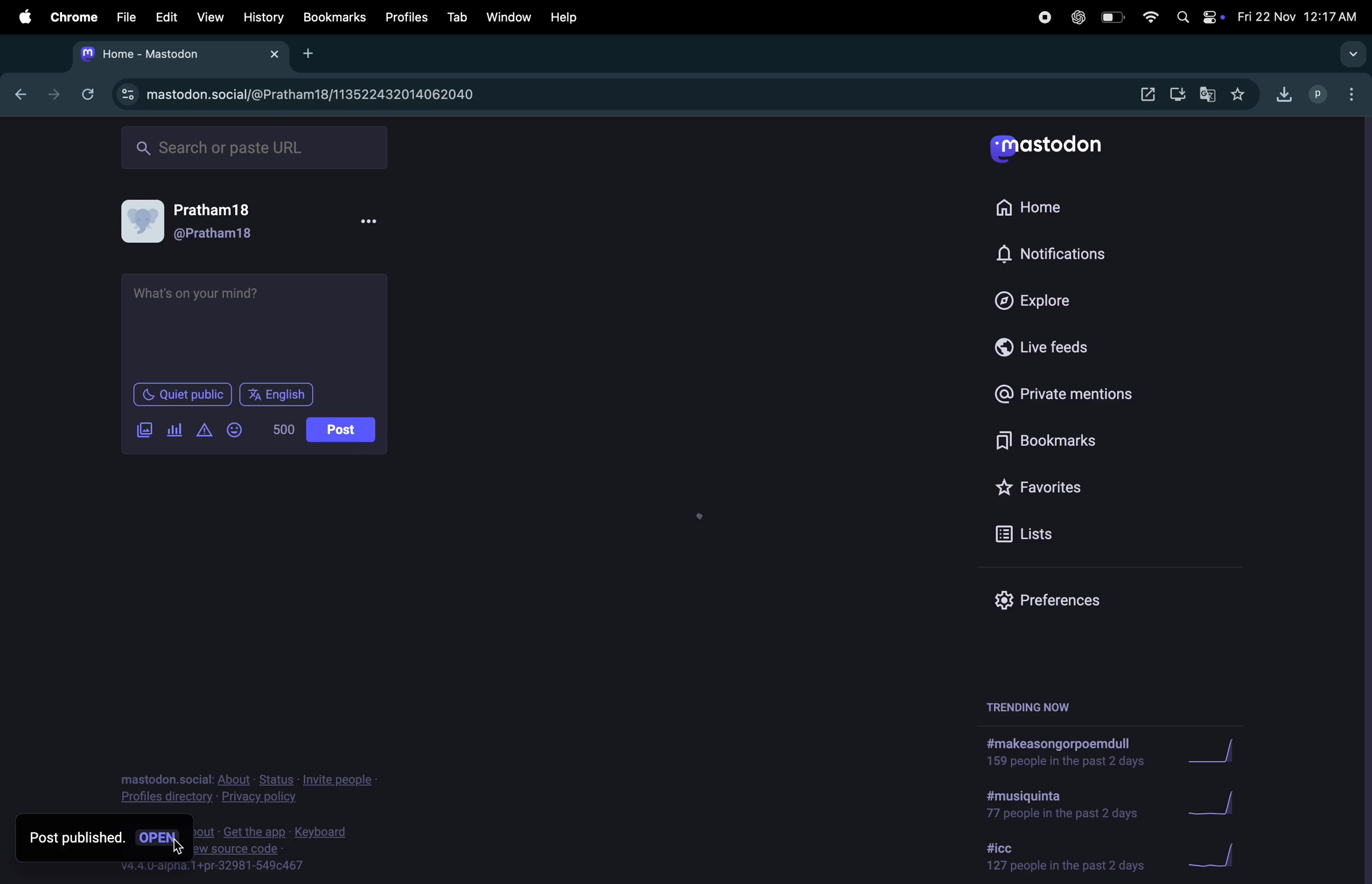  Describe the element at coordinates (277, 396) in the screenshot. I see `english` at that location.